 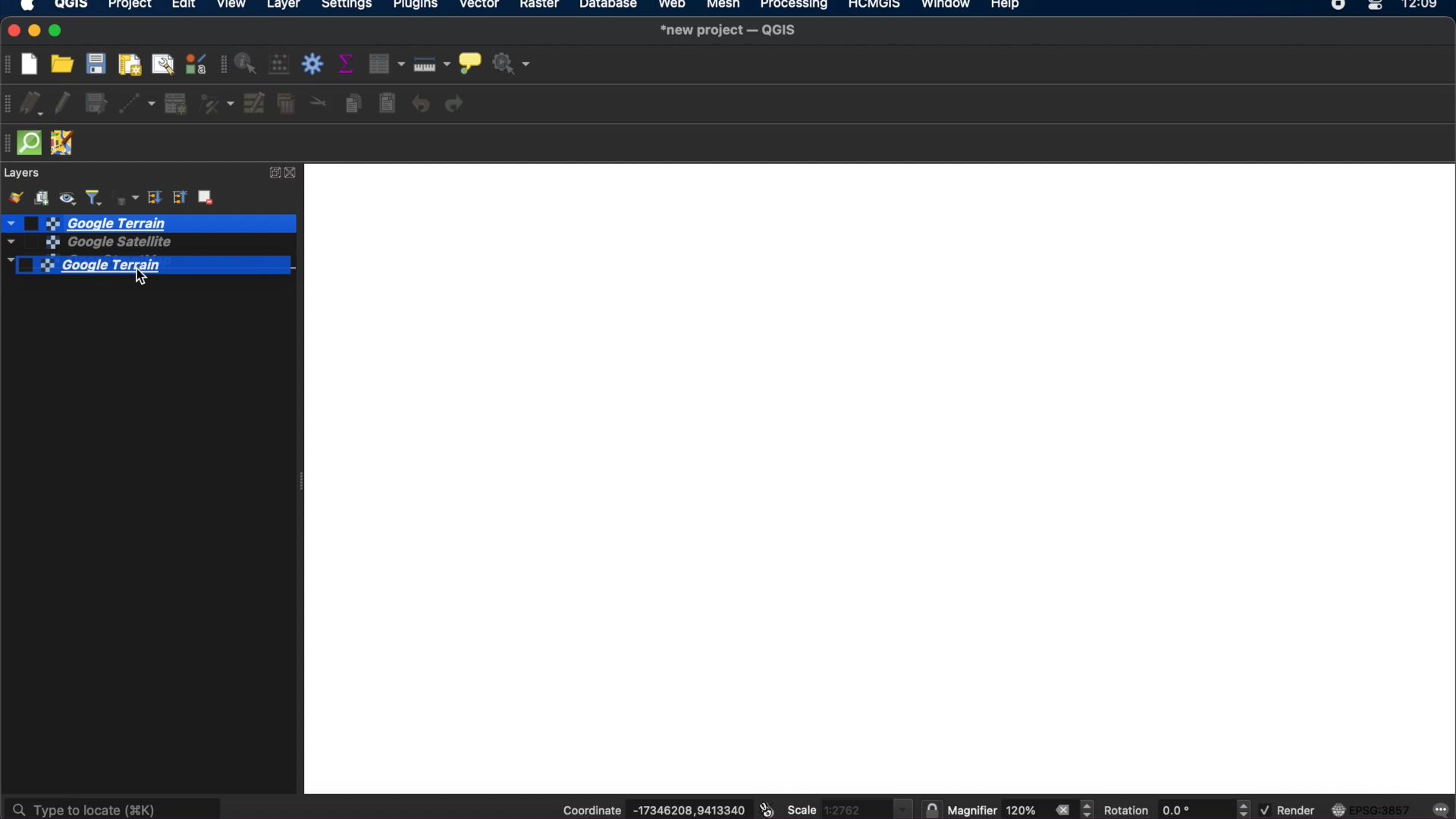 I want to click on delete selected, so click(x=286, y=105).